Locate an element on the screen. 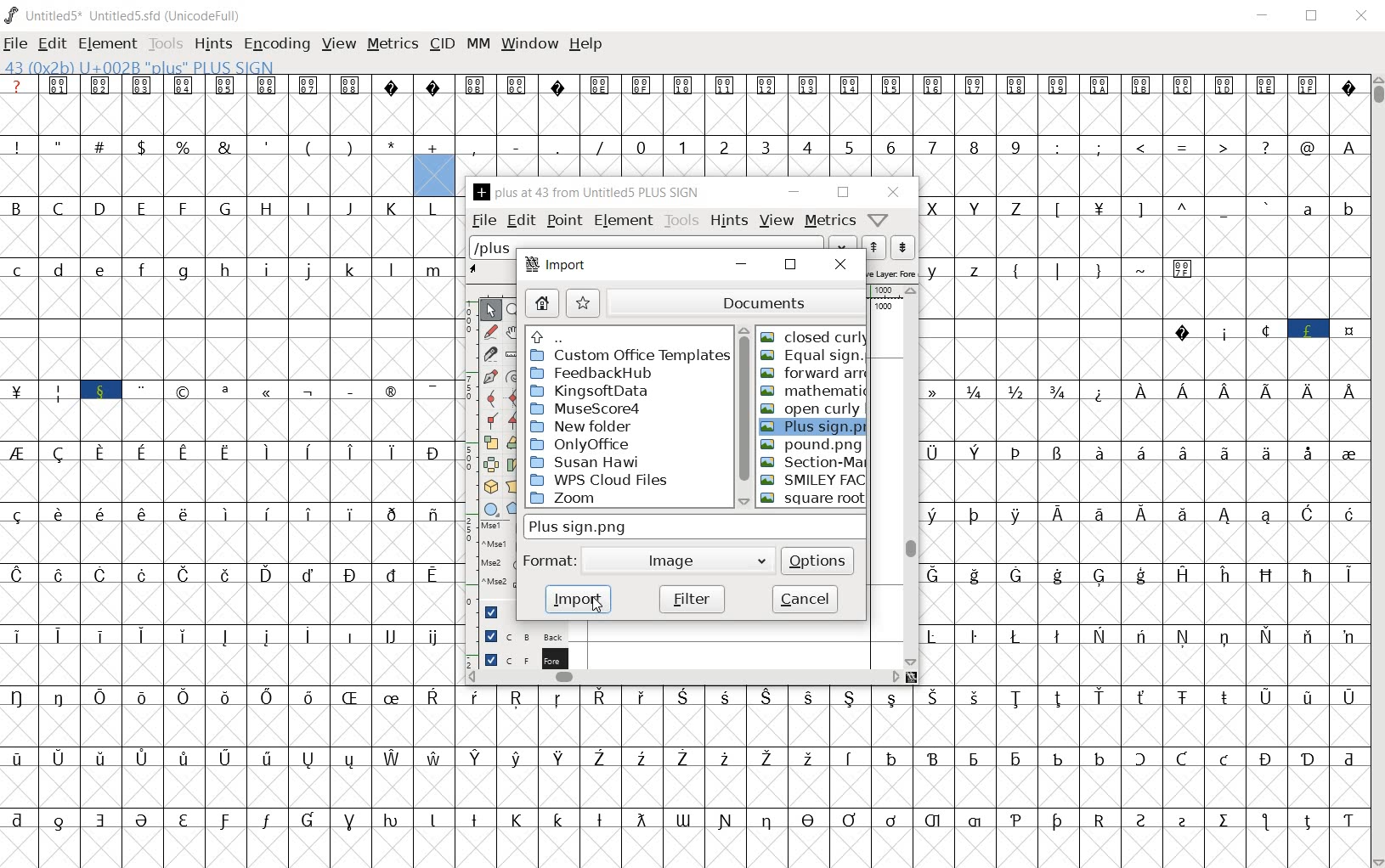  POINTER is located at coordinates (489, 311).